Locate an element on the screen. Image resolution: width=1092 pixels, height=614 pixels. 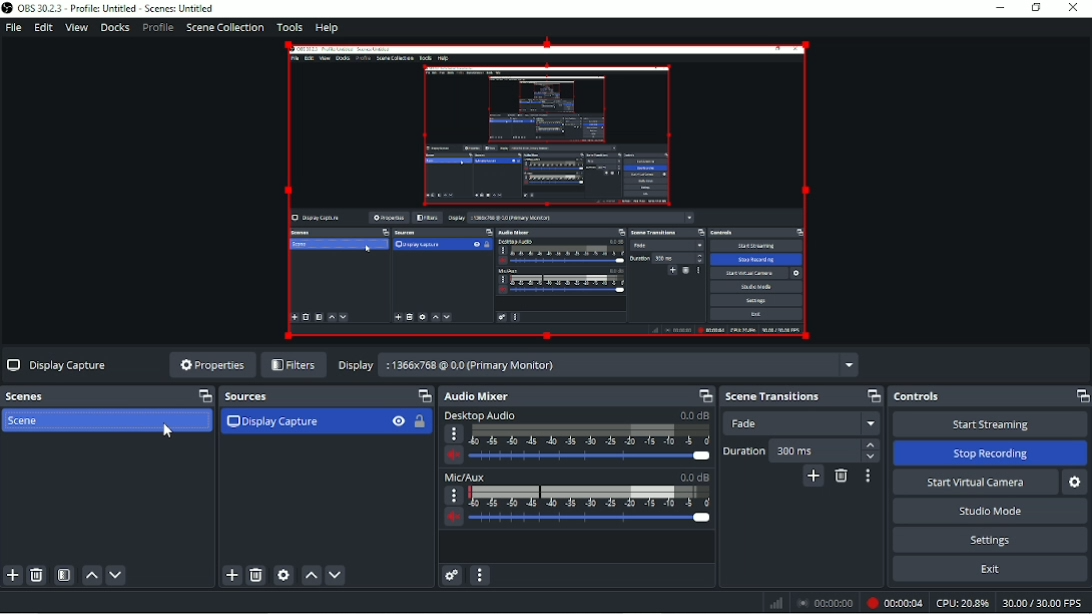
Volume is located at coordinates (455, 456).